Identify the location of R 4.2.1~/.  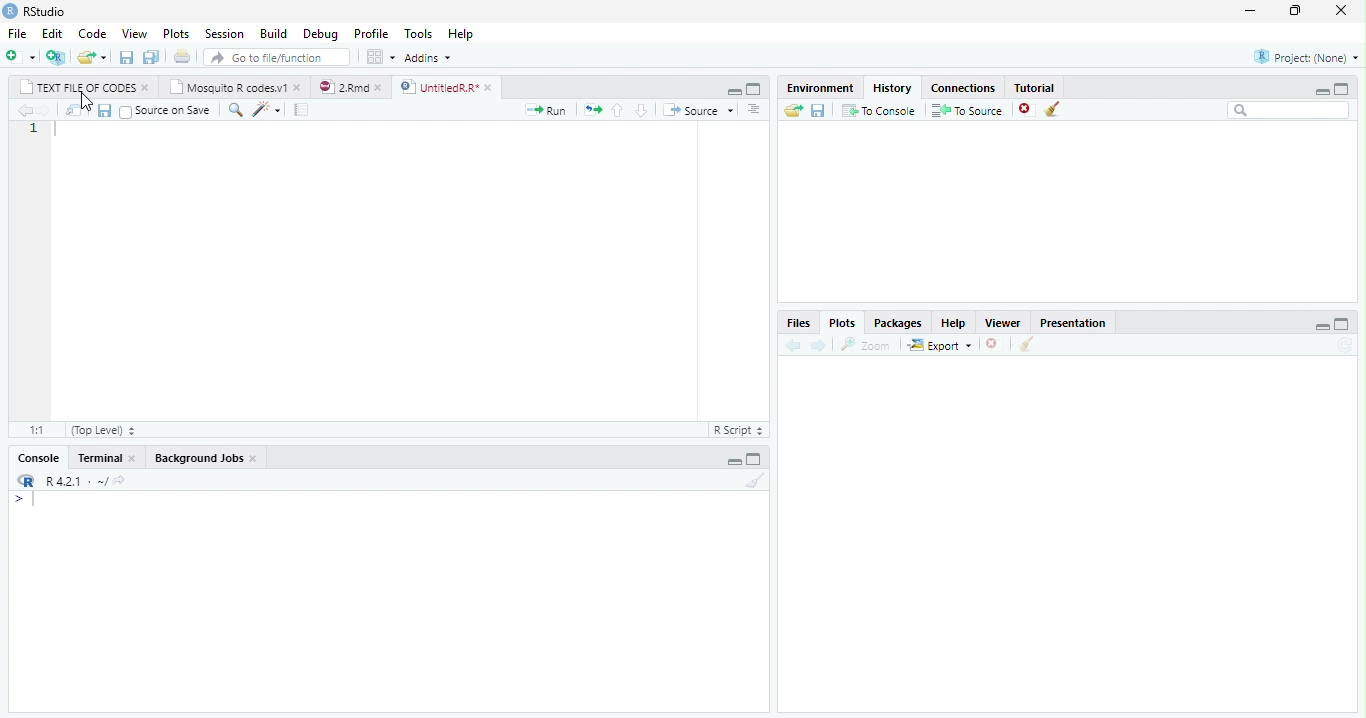
(75, 481).